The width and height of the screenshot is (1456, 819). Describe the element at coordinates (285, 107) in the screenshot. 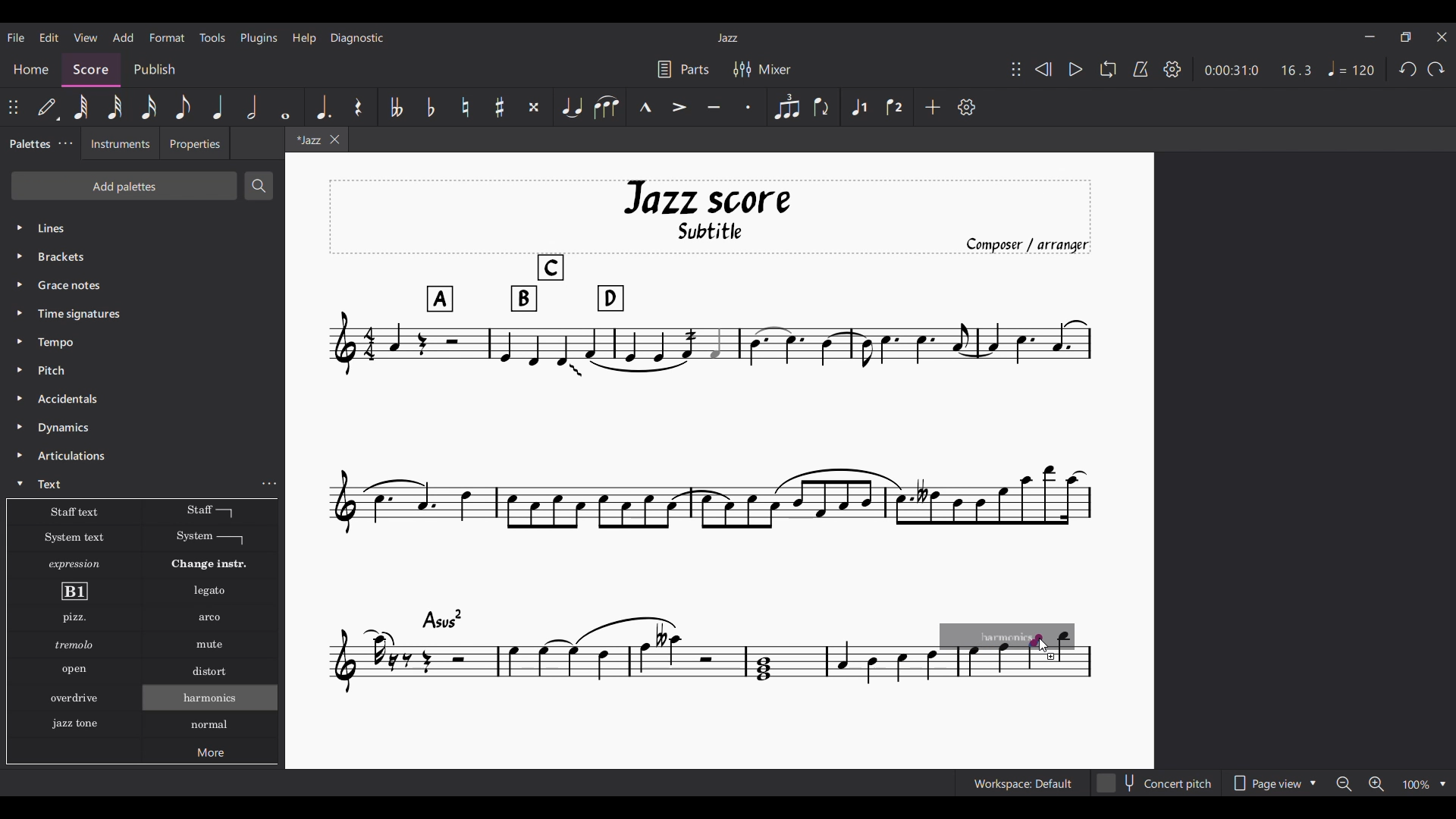

I see `Whole note` at that location.